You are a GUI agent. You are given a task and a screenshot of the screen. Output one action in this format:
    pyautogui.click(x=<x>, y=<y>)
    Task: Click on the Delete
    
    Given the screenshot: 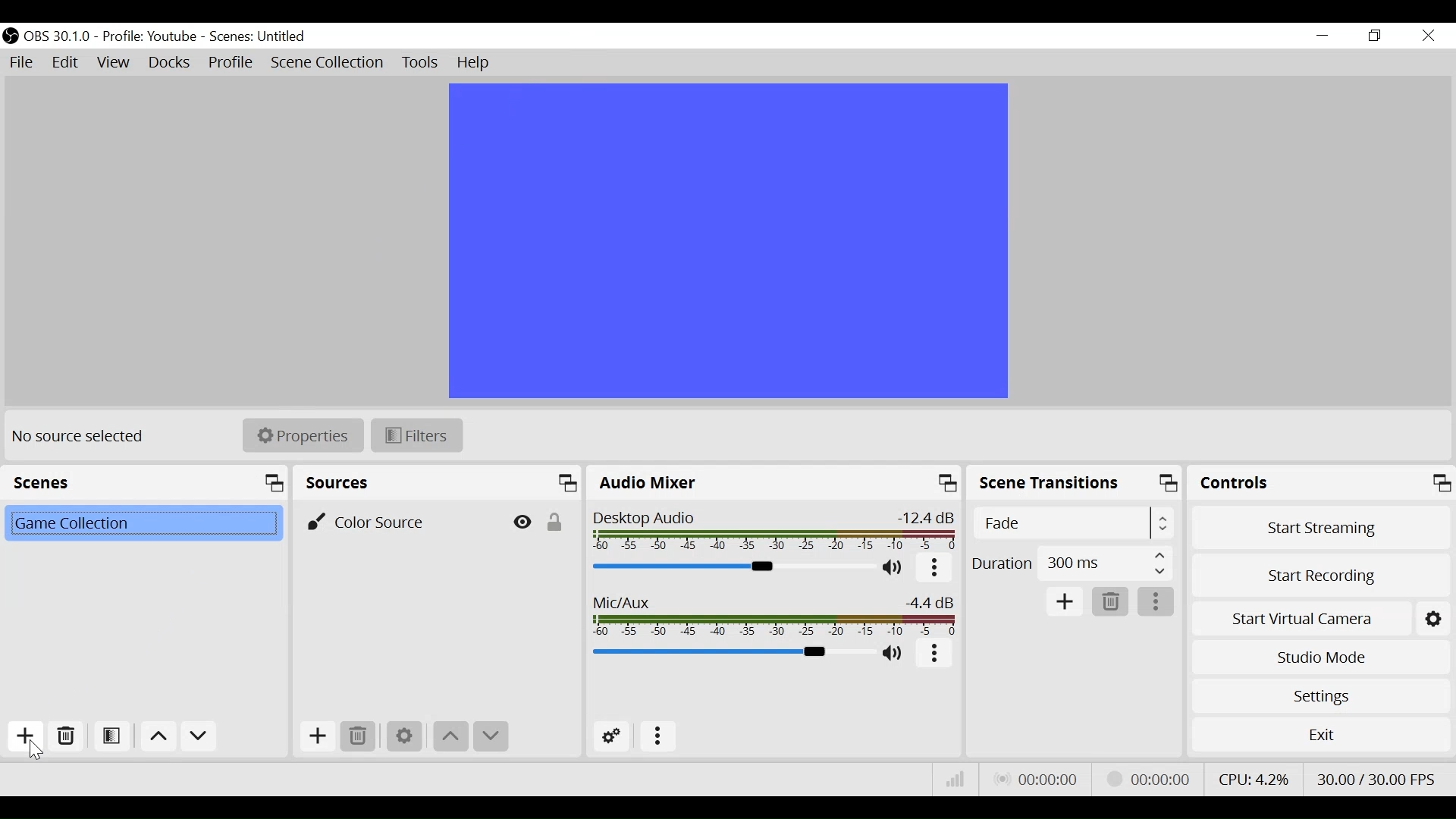 What is the action you would take?
    pyautogui.click(x=67, y=736)
    